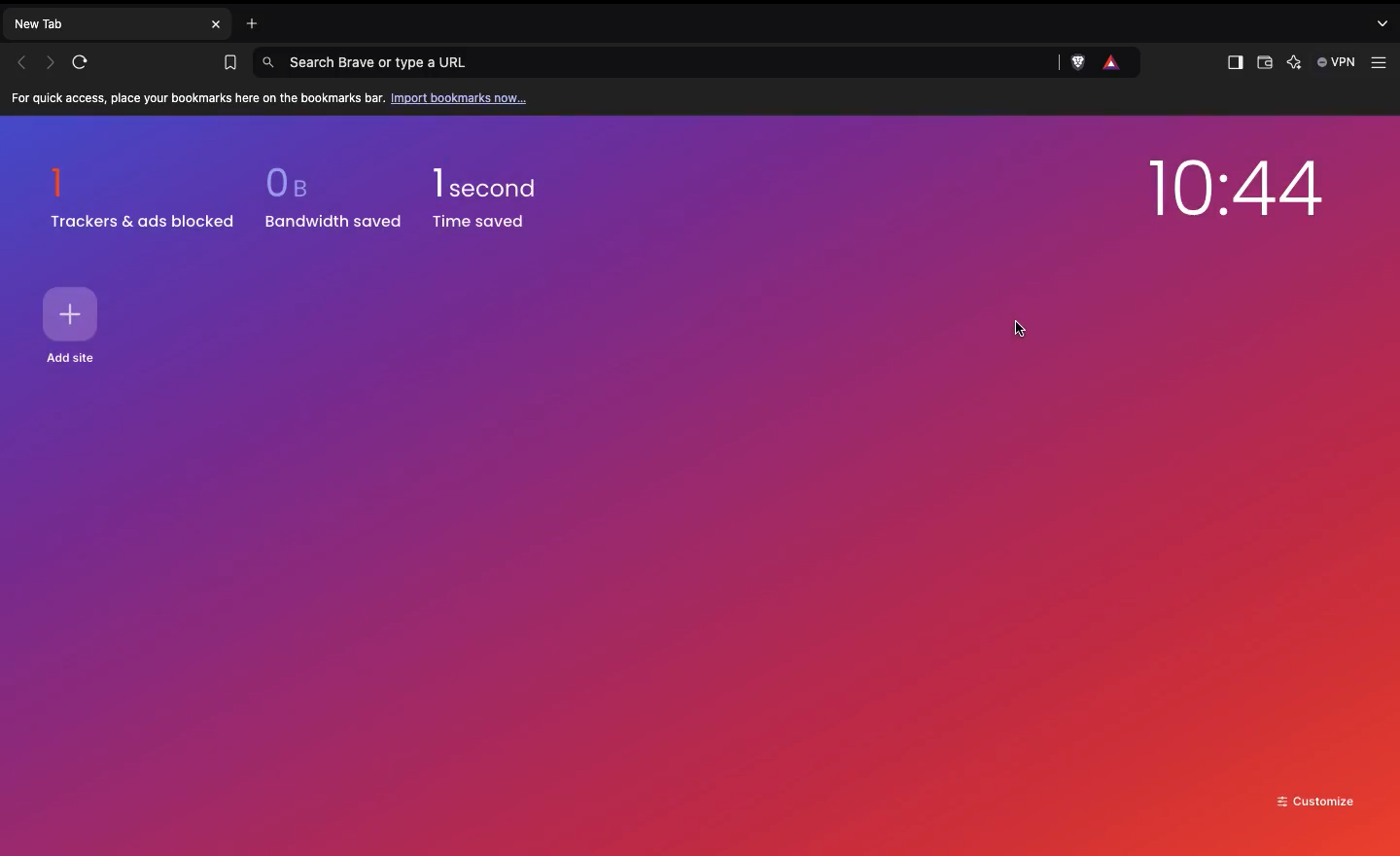 This screenshot has height=856, width=1400. What do you see at coordinates (1382, 63) in the screenshot?
I see `Customize and control Brave` at bounding box center [1382, 63].